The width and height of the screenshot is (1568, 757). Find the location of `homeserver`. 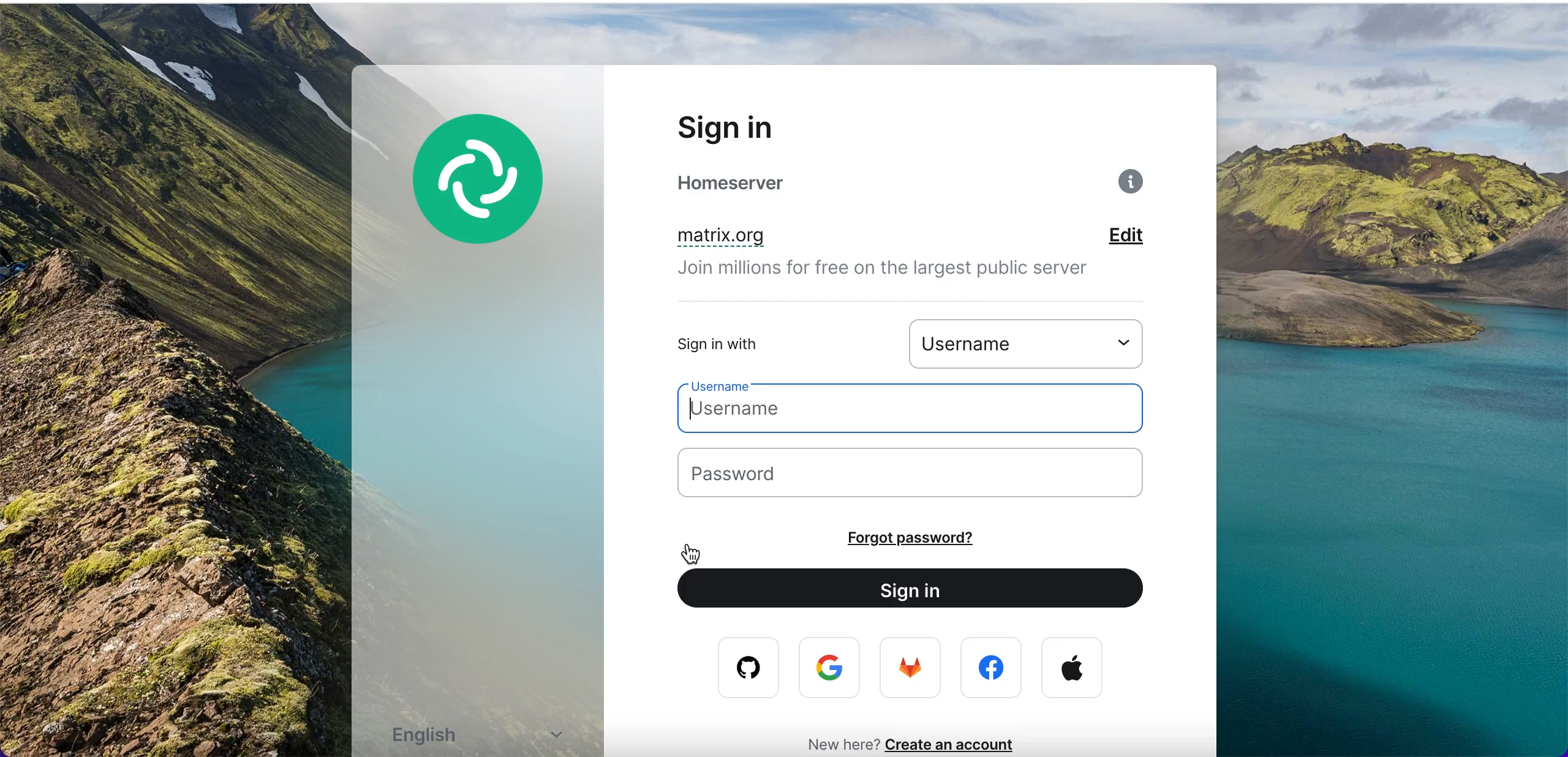

homeserver is located at coordinates (761, 183).